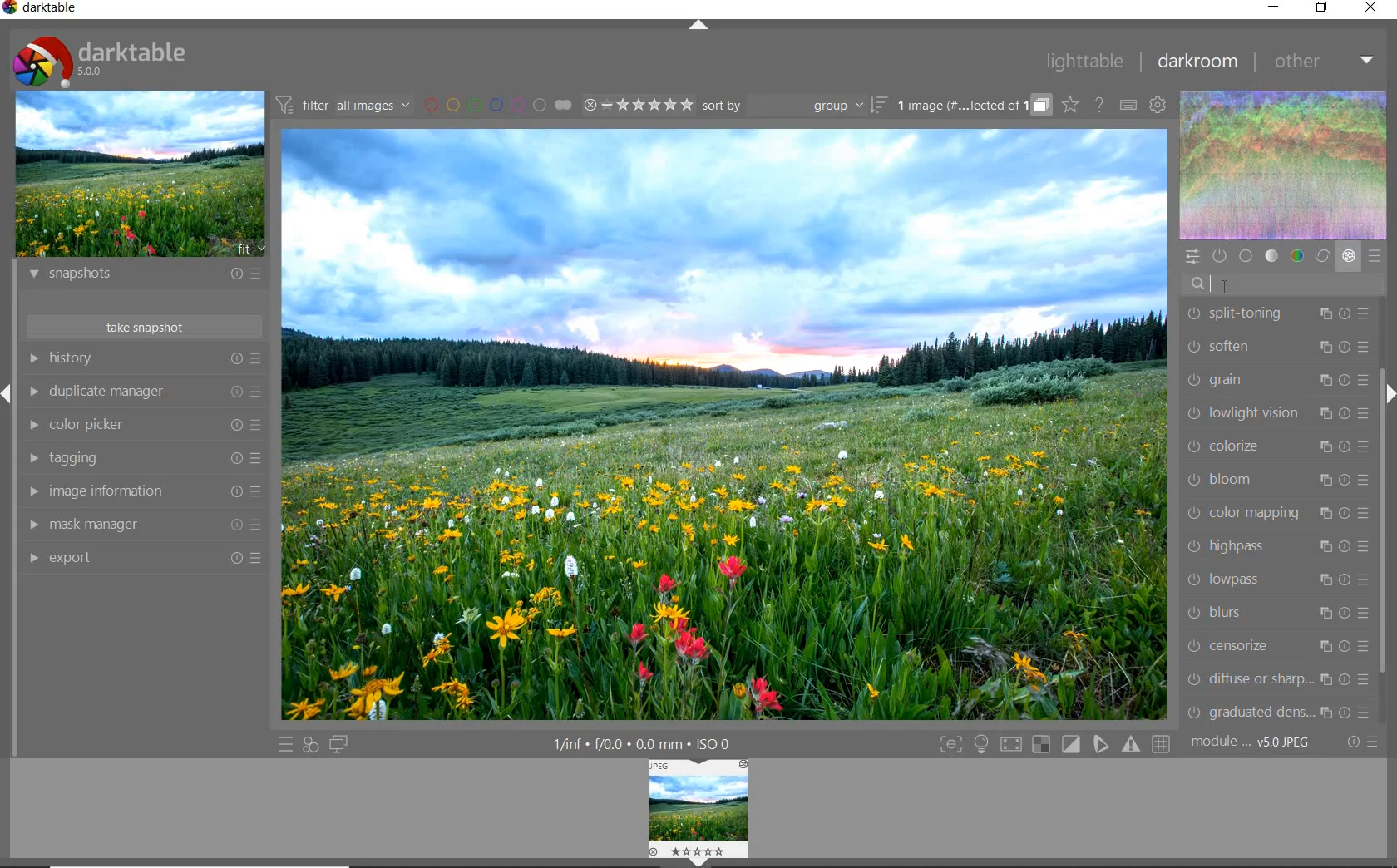  What do you see at coordinates (699, 811) in the screenshot?
I see `Image preview` at bounding box center [699, 811].